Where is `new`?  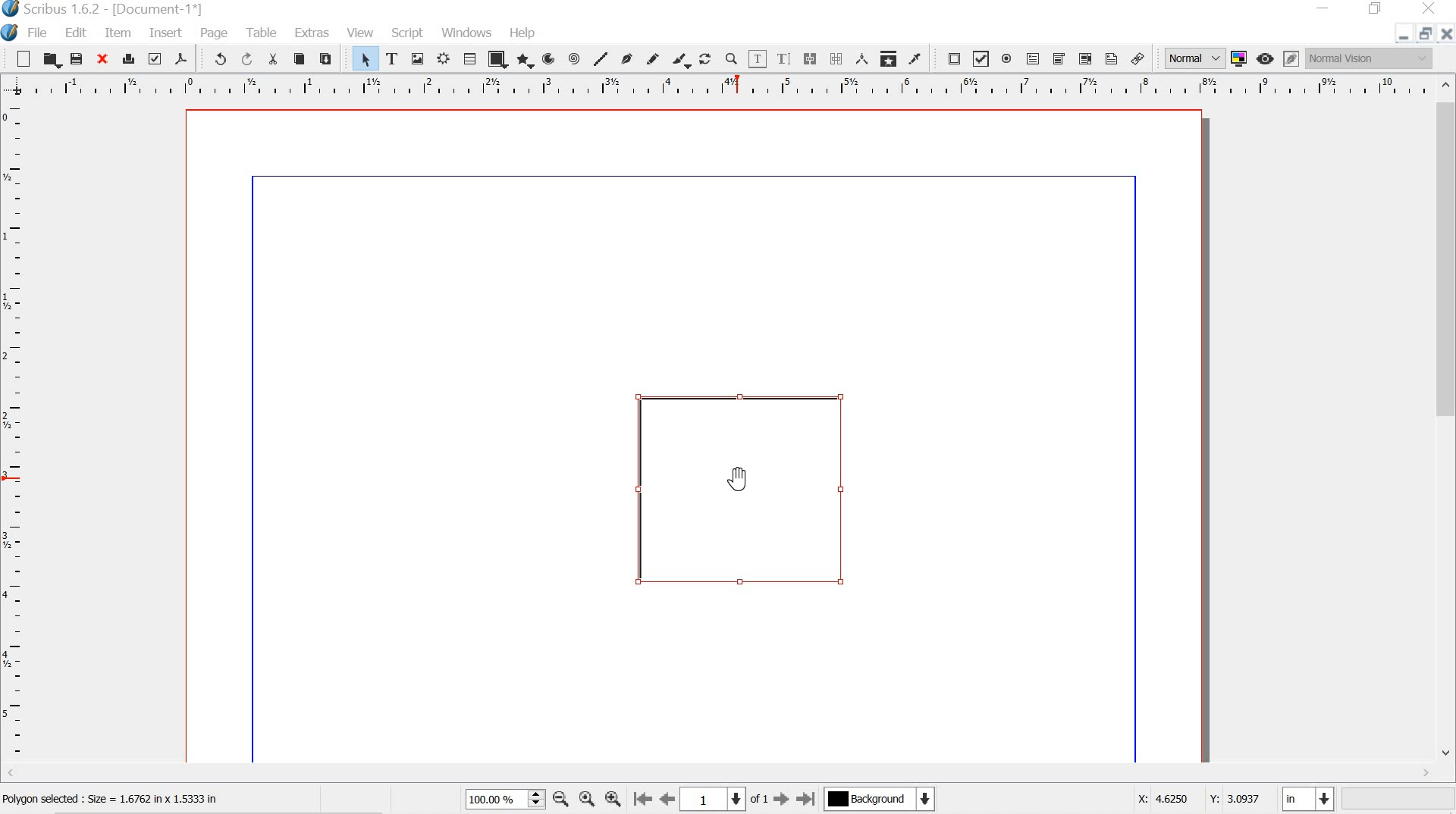
new is located at coordinates (23, 58).